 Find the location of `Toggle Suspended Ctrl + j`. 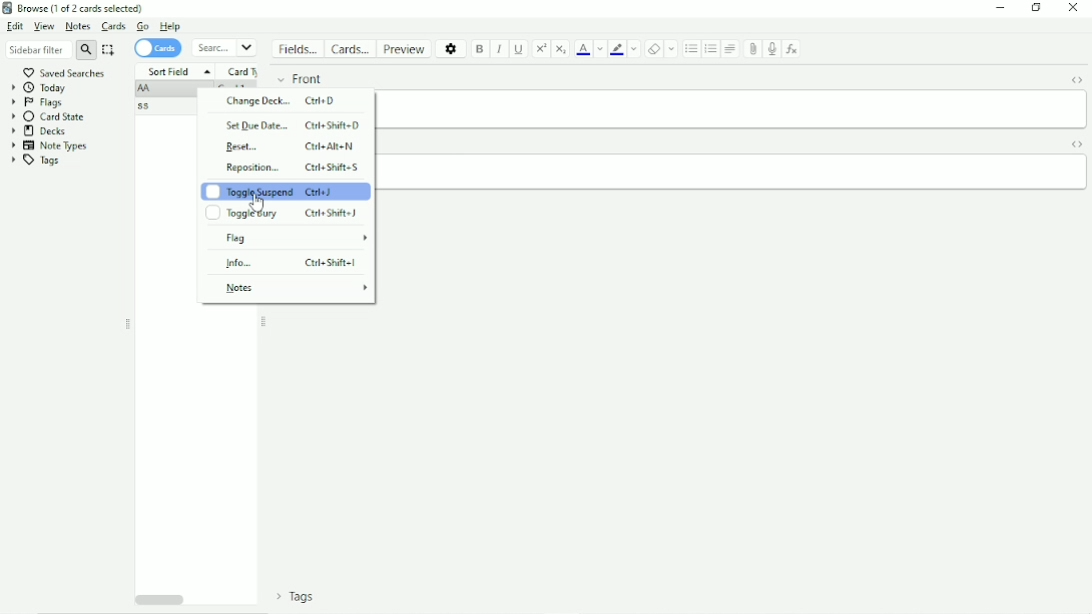

Toggle Suspended Ctrl + j is located at coordinates (284, 191).